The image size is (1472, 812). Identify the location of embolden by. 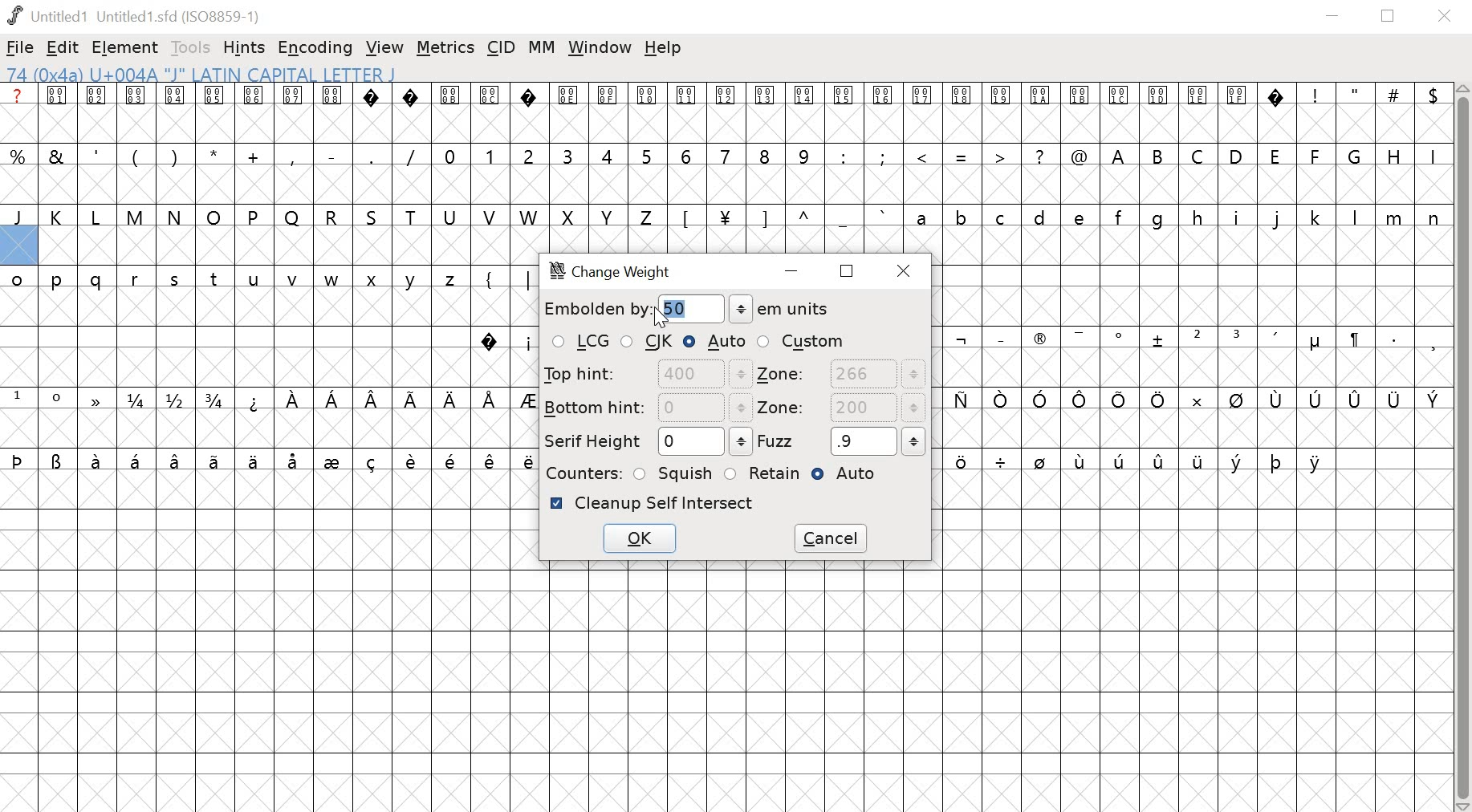
(596, 309).